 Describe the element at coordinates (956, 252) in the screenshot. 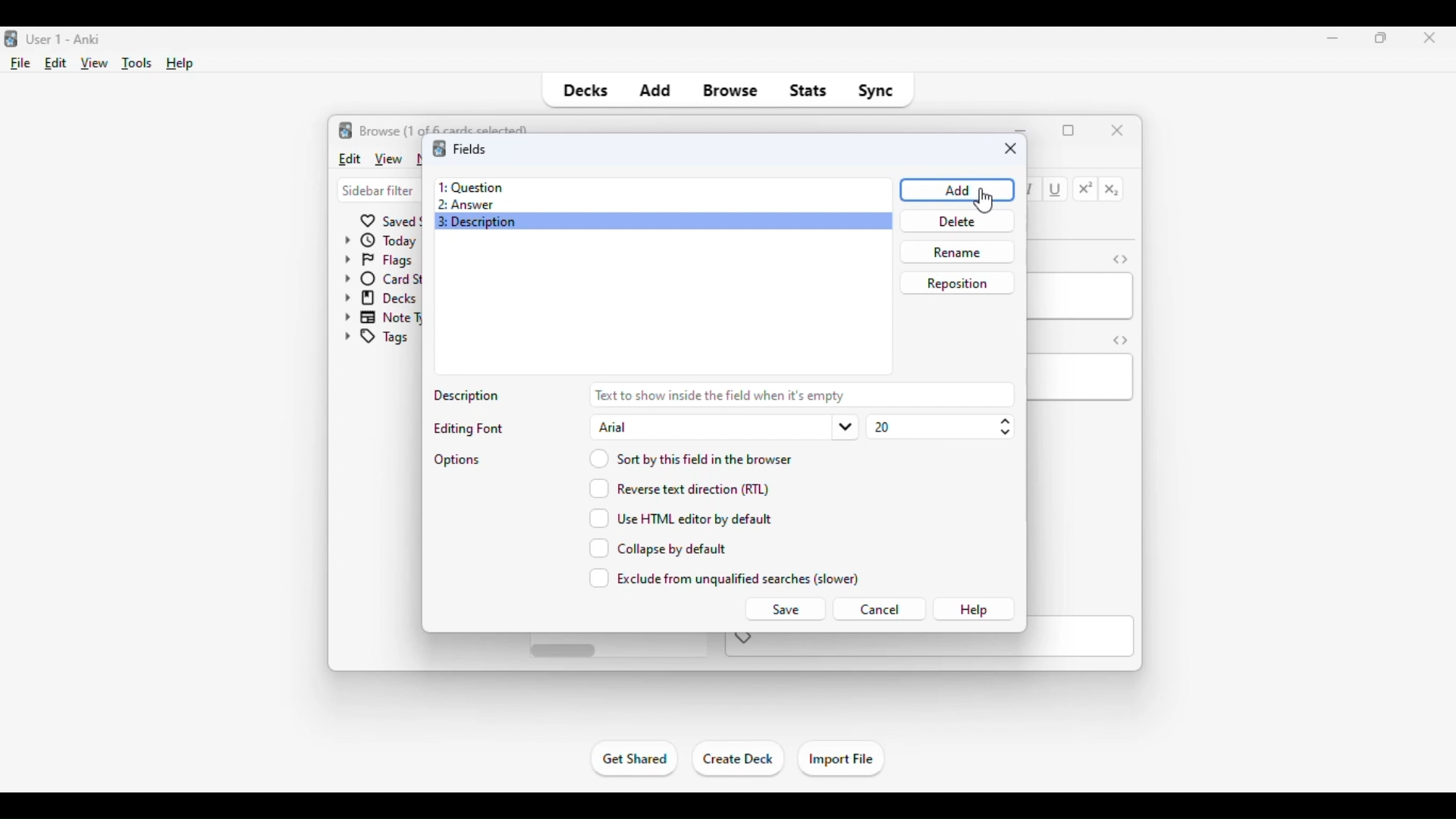

I see `rename` at that location.